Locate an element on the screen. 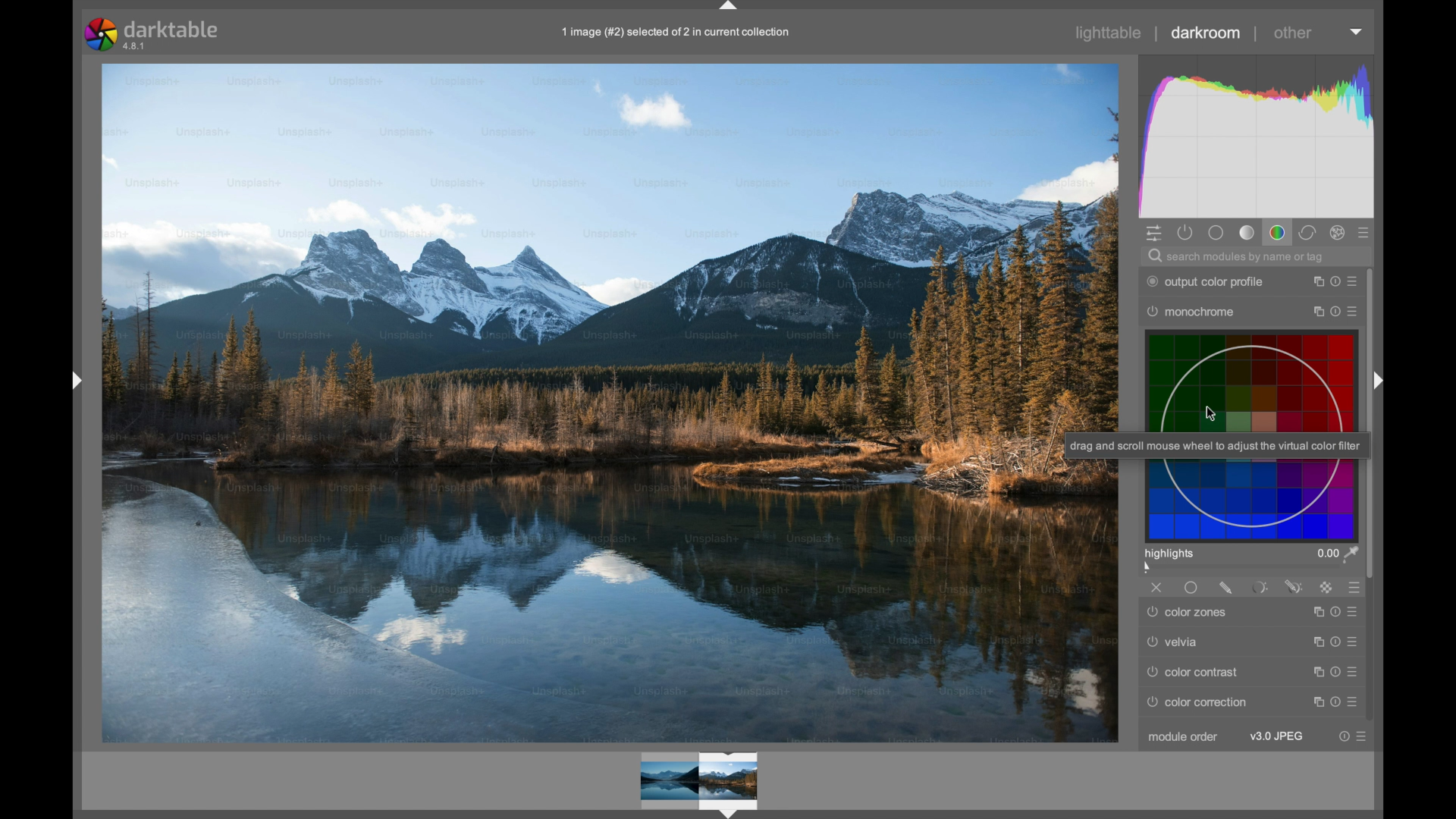 This screenshot has height=819, width=1456. base is located at coordinates (1216, 233).